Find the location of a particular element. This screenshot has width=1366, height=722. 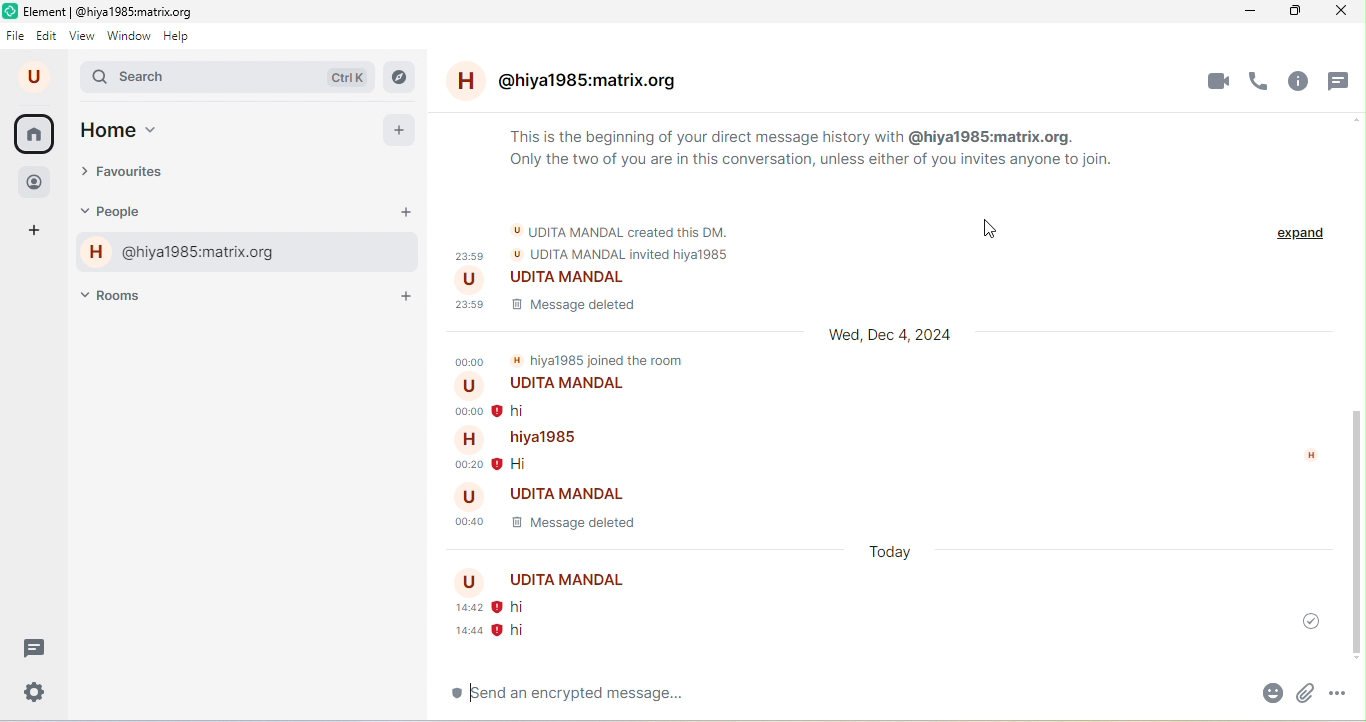

close is located at coordinates (1341, 13).